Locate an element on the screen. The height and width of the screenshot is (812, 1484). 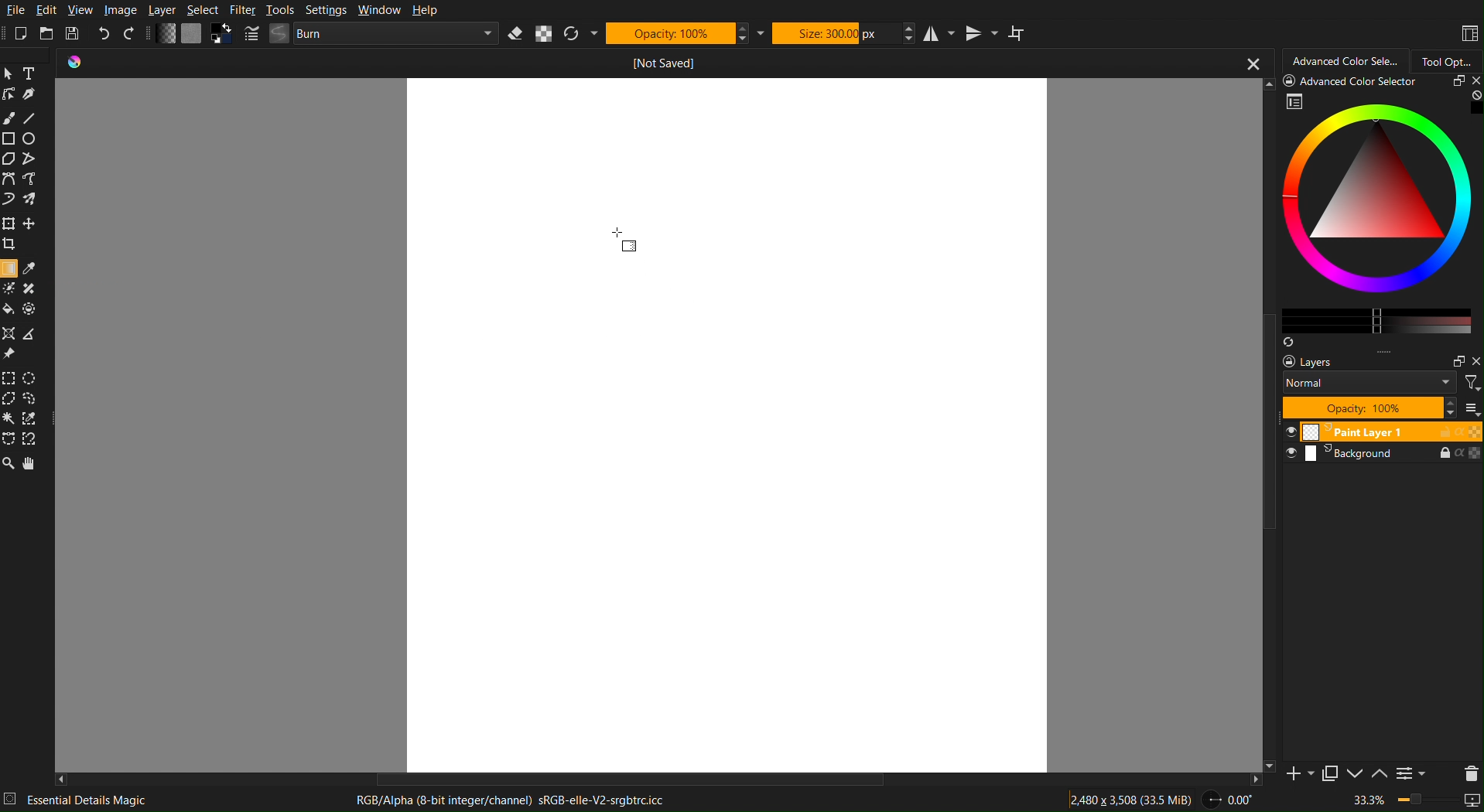
details is located at coordinates (12, 798).